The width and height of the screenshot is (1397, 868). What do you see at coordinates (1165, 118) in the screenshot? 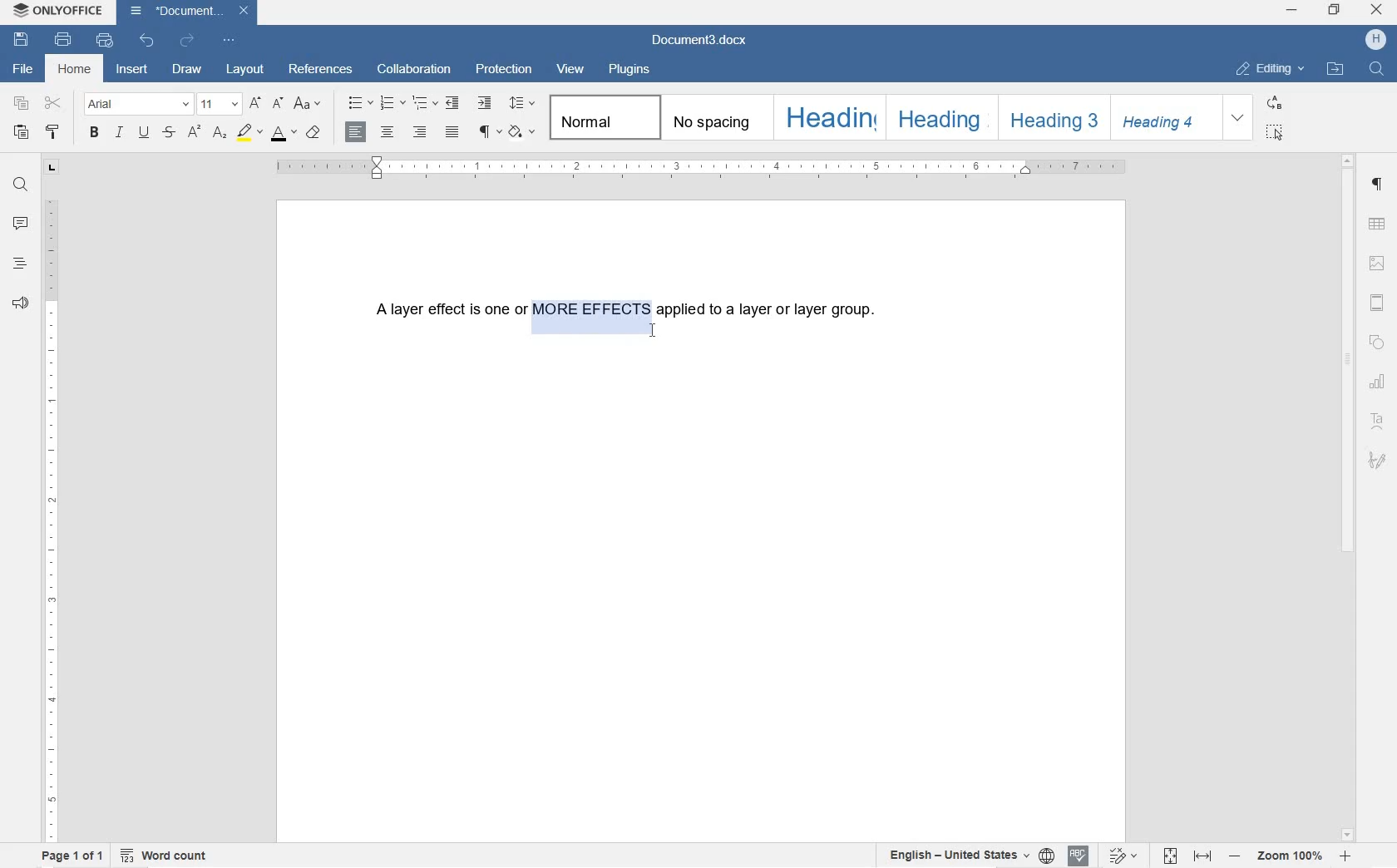
I see `HEADING 4` at bounding box center [1165, 118].